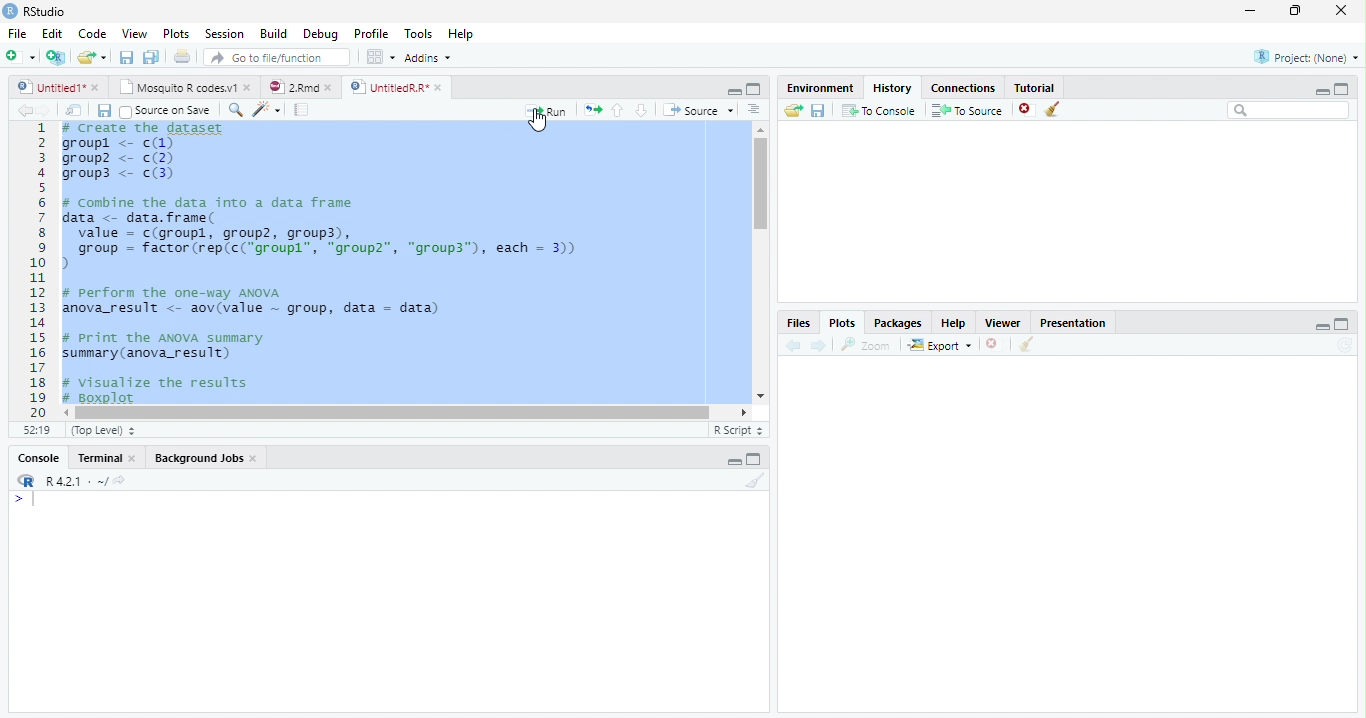  Describe the element at coordinates (820, 88) in the screenshot. I see `Environment` at that location.